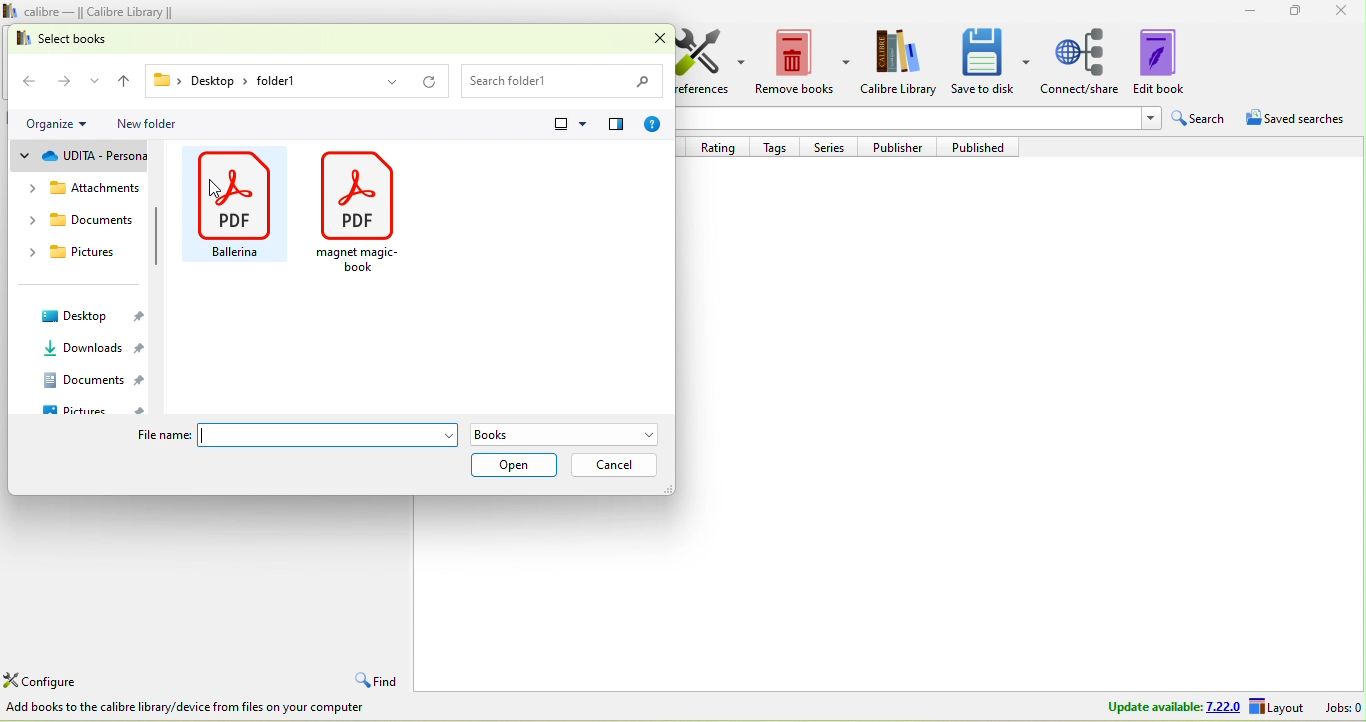 The image size is (1366, 722). I want to click on connect /share, so click(1081, 62).